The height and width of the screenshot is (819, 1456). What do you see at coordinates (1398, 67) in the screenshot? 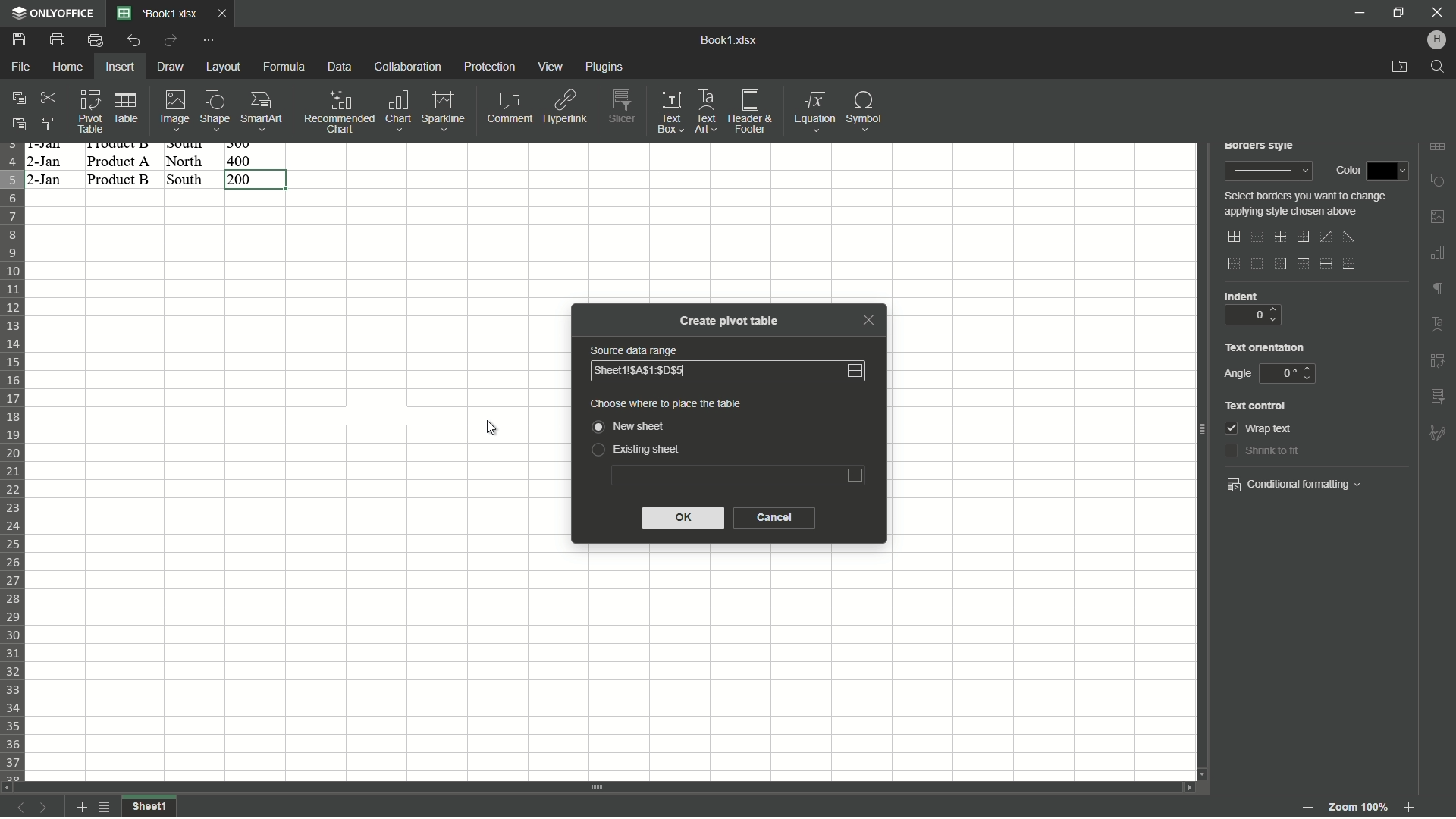
I see `open file location` at bounding box center [1398, 67].